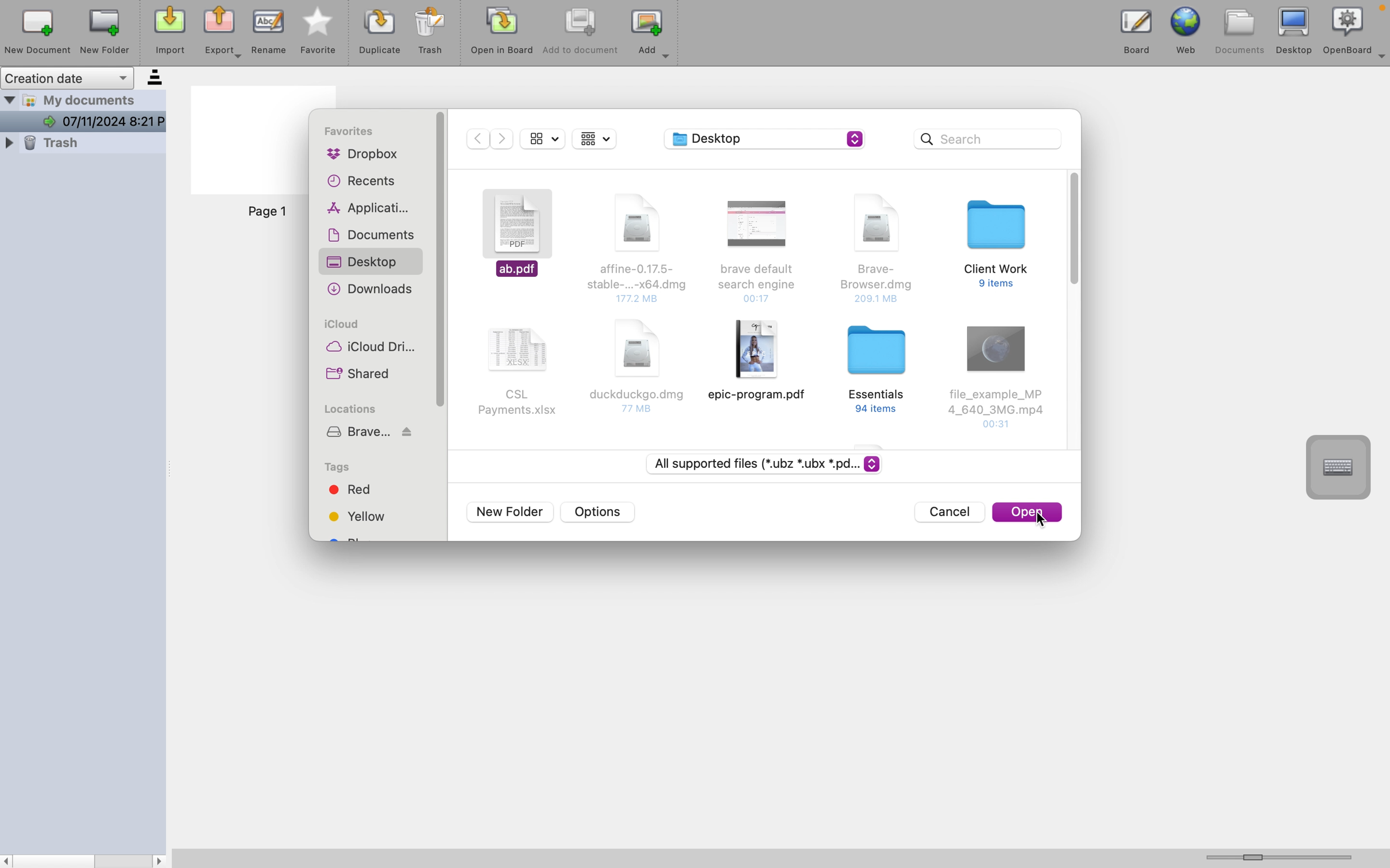  I want to click on desktop, so click(365, 262).